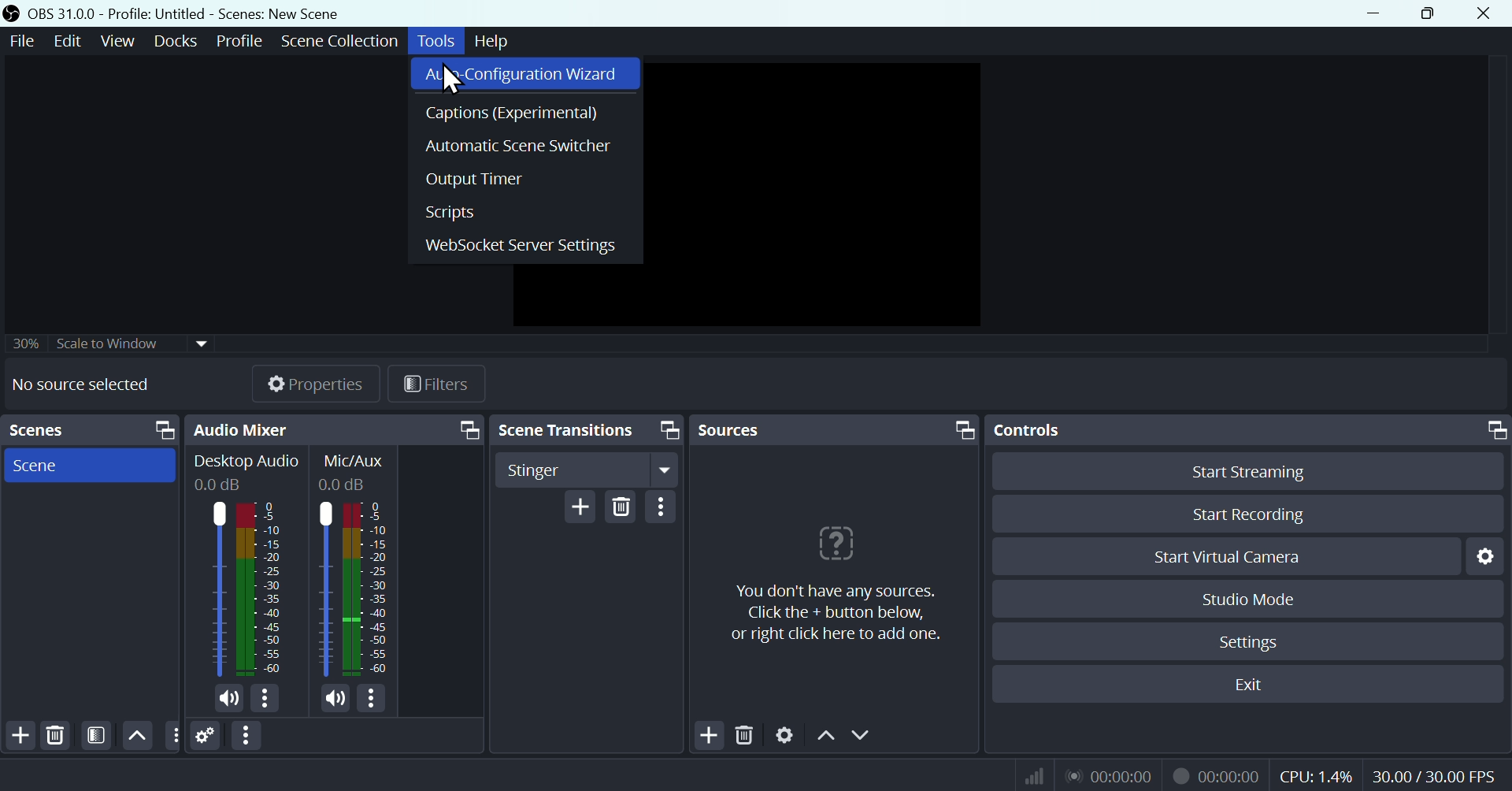  I want to click on mic, so click(336, 697).